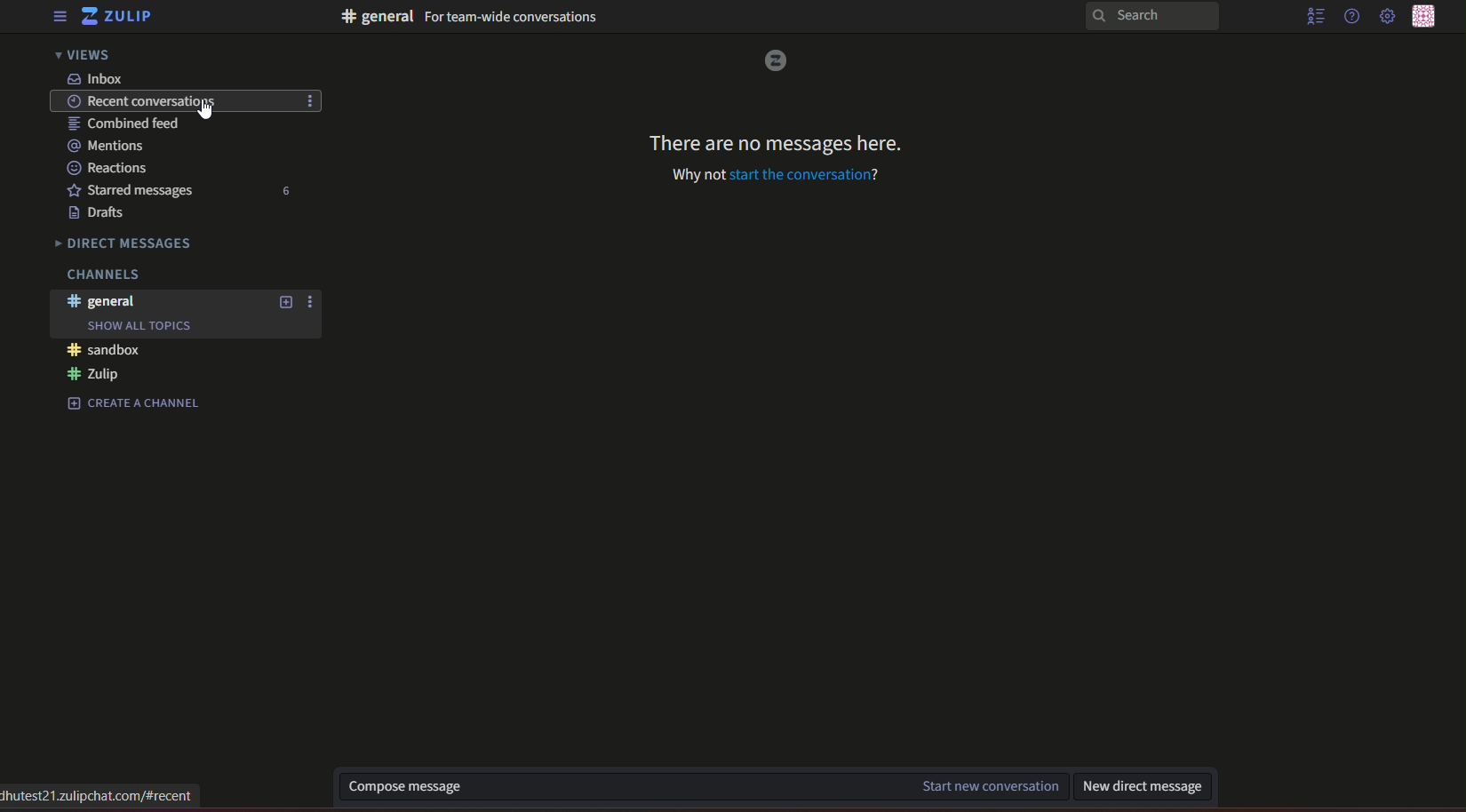  What do you see at coordinates (773, 138) in the screenshot?
I see `There are no messages here.` at bounding box center [773, 138].